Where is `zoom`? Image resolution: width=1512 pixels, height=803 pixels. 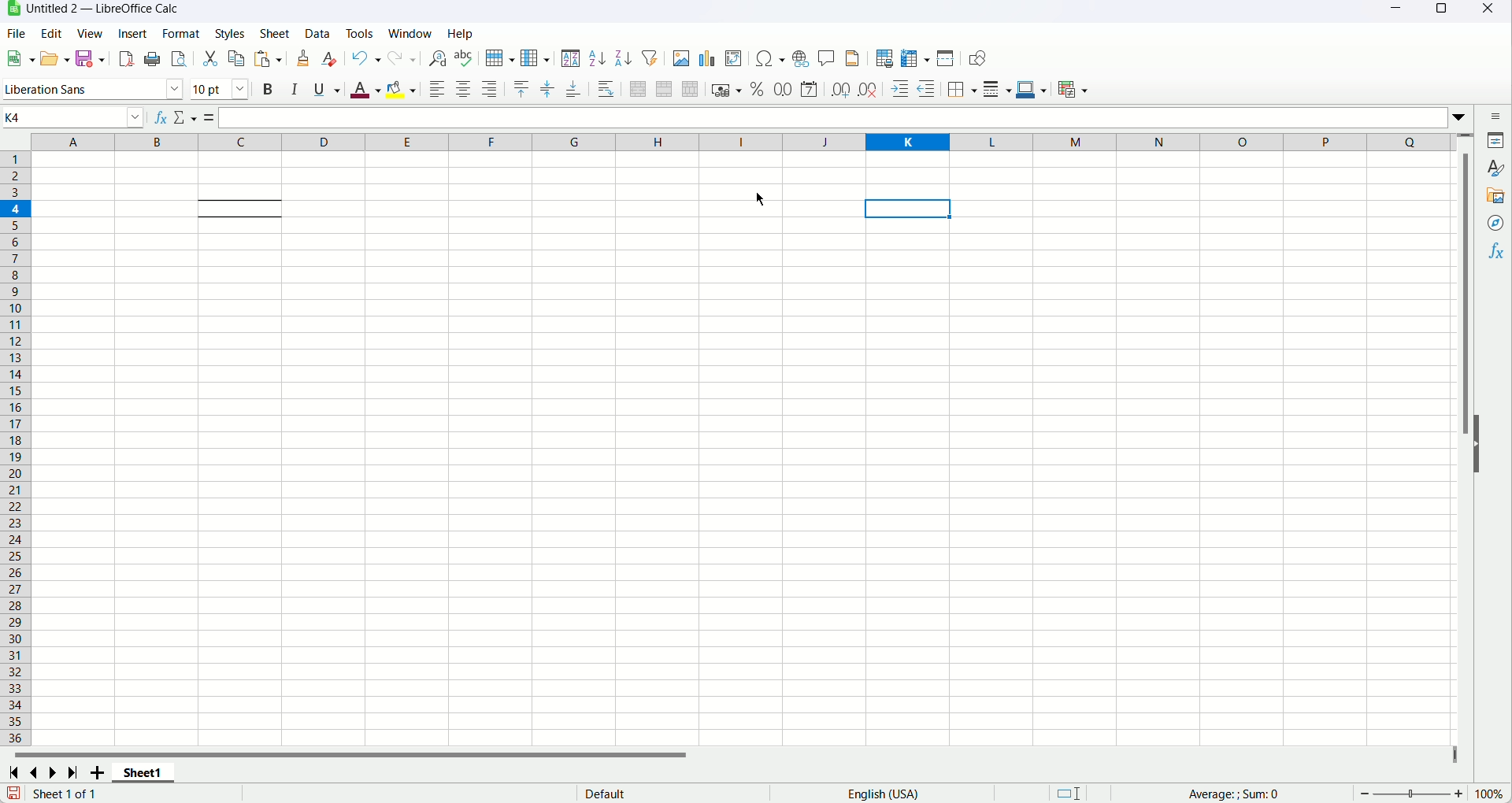
zoom is located at coordinates (1410, 794).